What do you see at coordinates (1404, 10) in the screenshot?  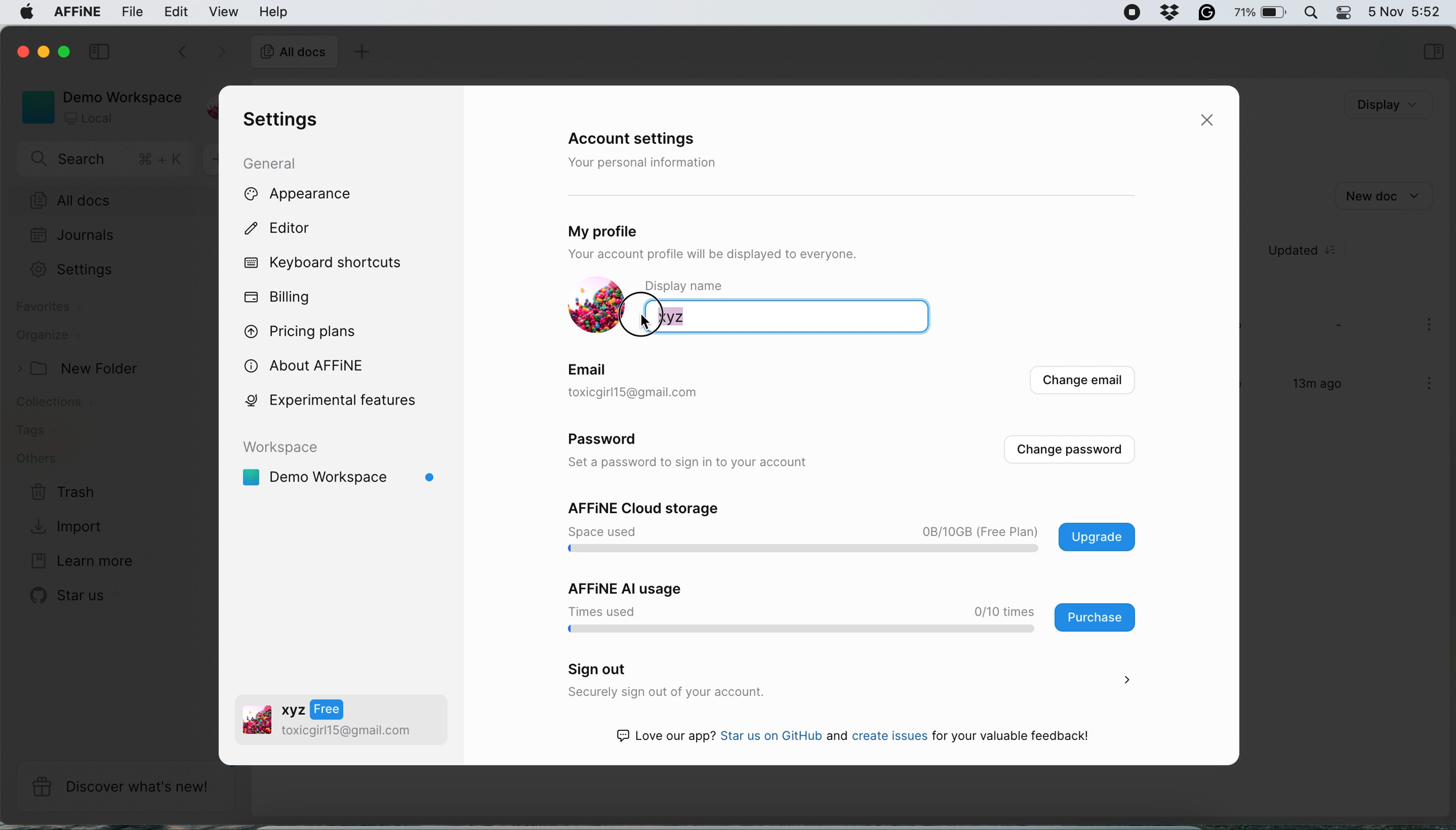 I see `5 Nov 5:44` at bounding box center [1404, 10].